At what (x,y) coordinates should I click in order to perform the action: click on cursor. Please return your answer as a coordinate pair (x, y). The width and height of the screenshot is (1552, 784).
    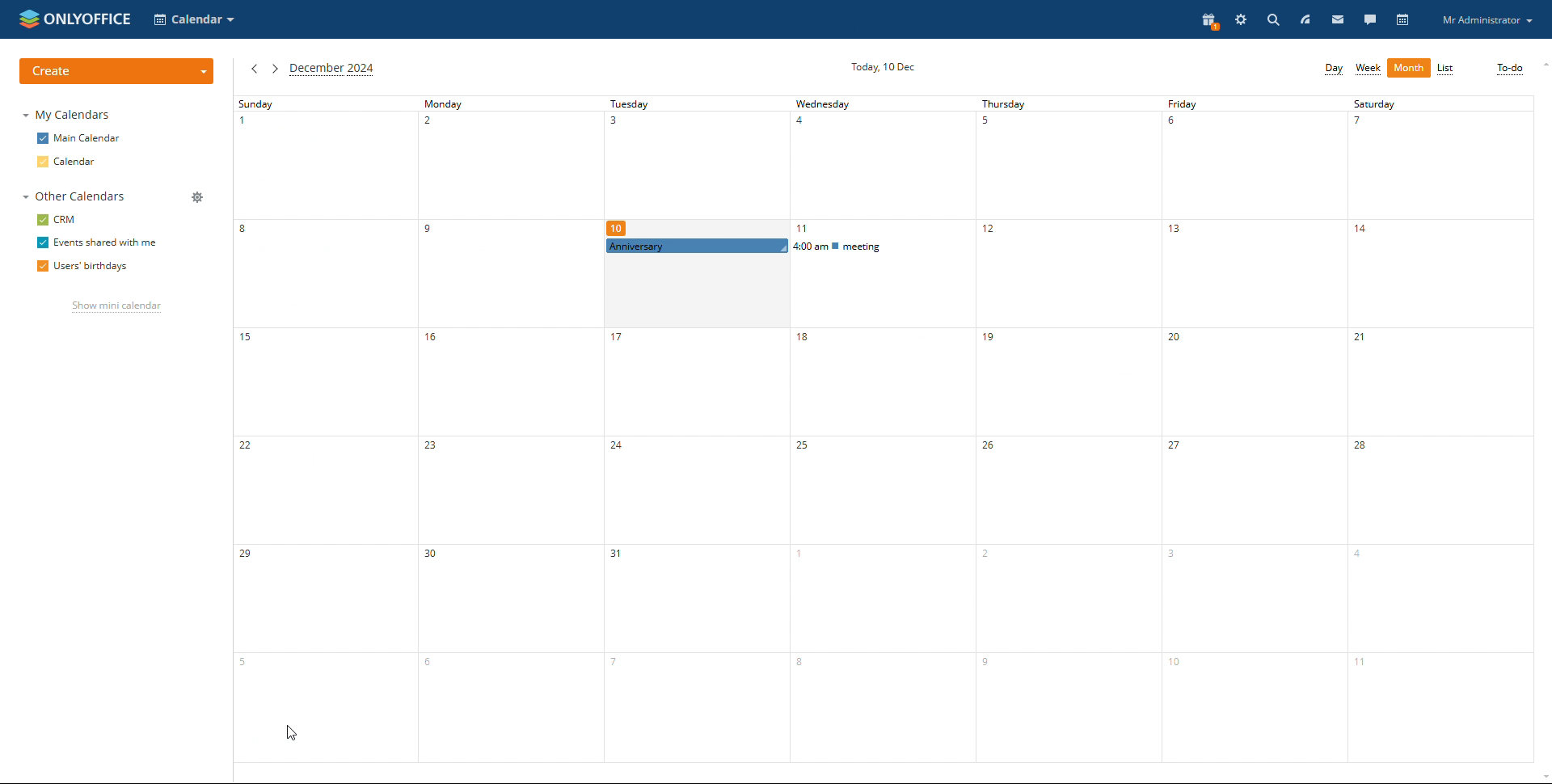
    Looking at the image, I should click on (631, 256).